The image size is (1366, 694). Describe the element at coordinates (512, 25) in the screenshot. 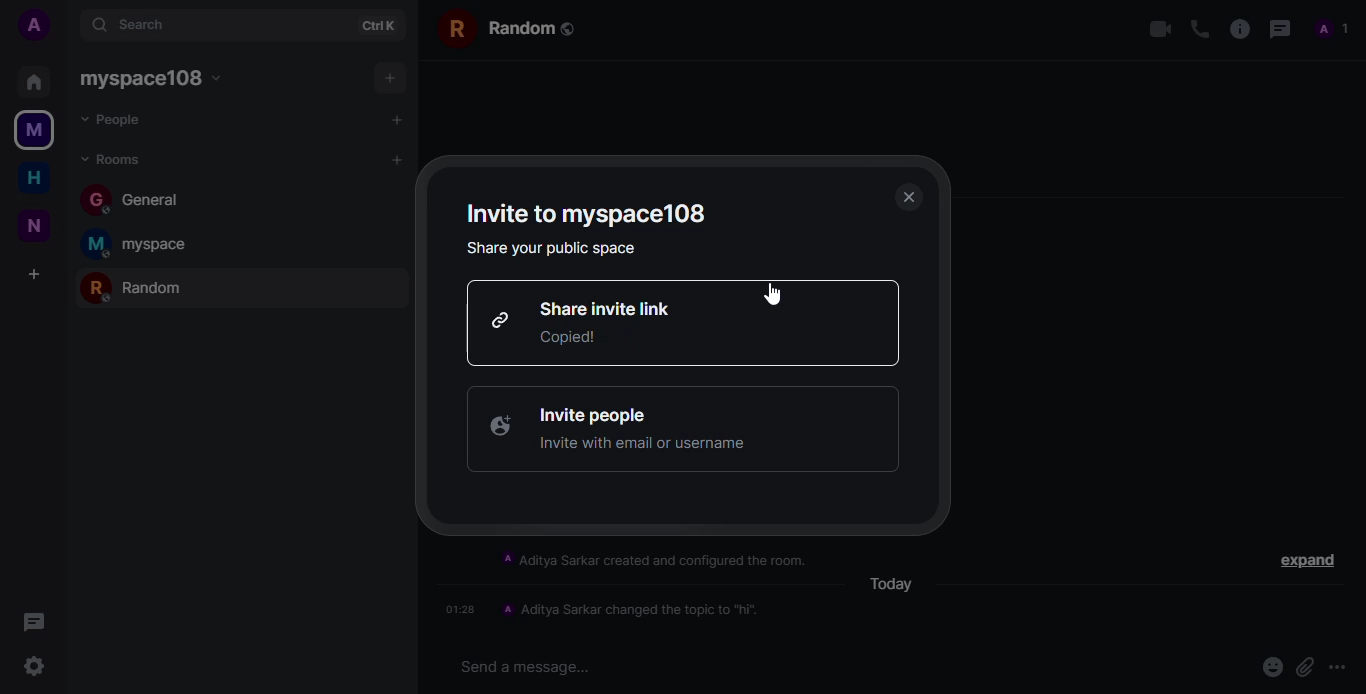

I see `random` at that location.